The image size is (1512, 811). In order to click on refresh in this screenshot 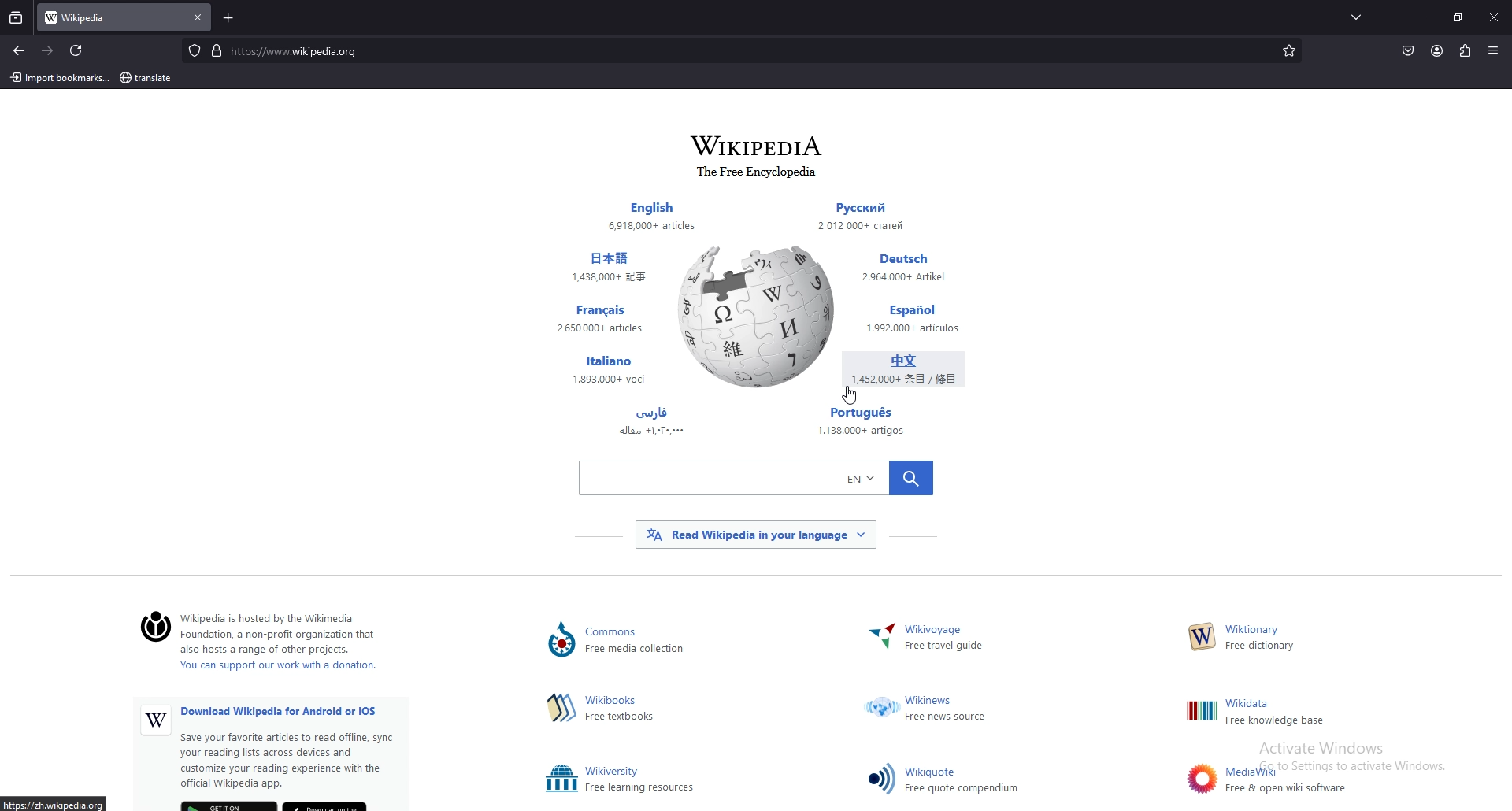, I will do `click(76, 51)`.